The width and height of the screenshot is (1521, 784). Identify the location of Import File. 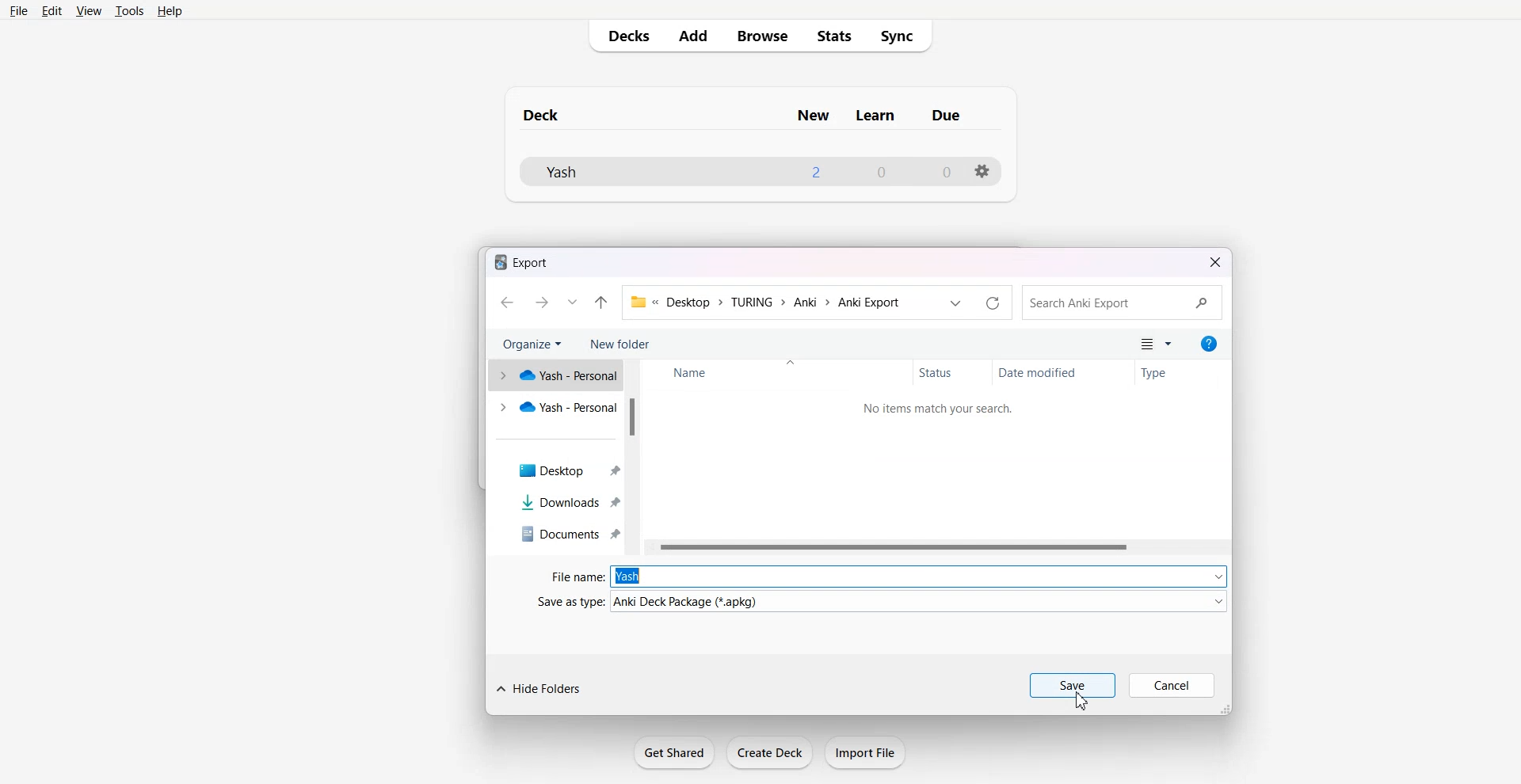
(866, 752).